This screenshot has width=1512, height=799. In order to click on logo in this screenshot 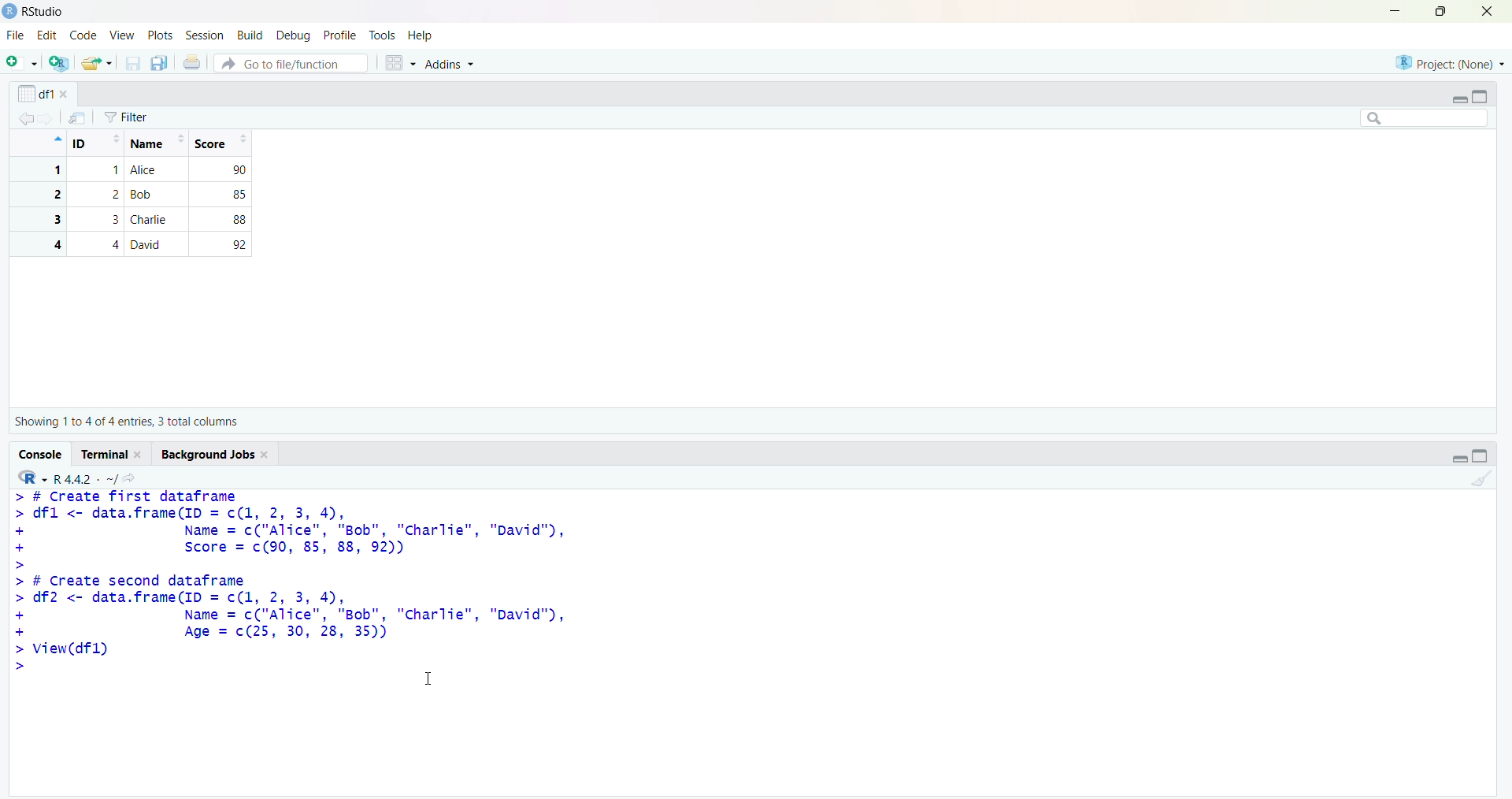, I will do `click(11, 12)`.